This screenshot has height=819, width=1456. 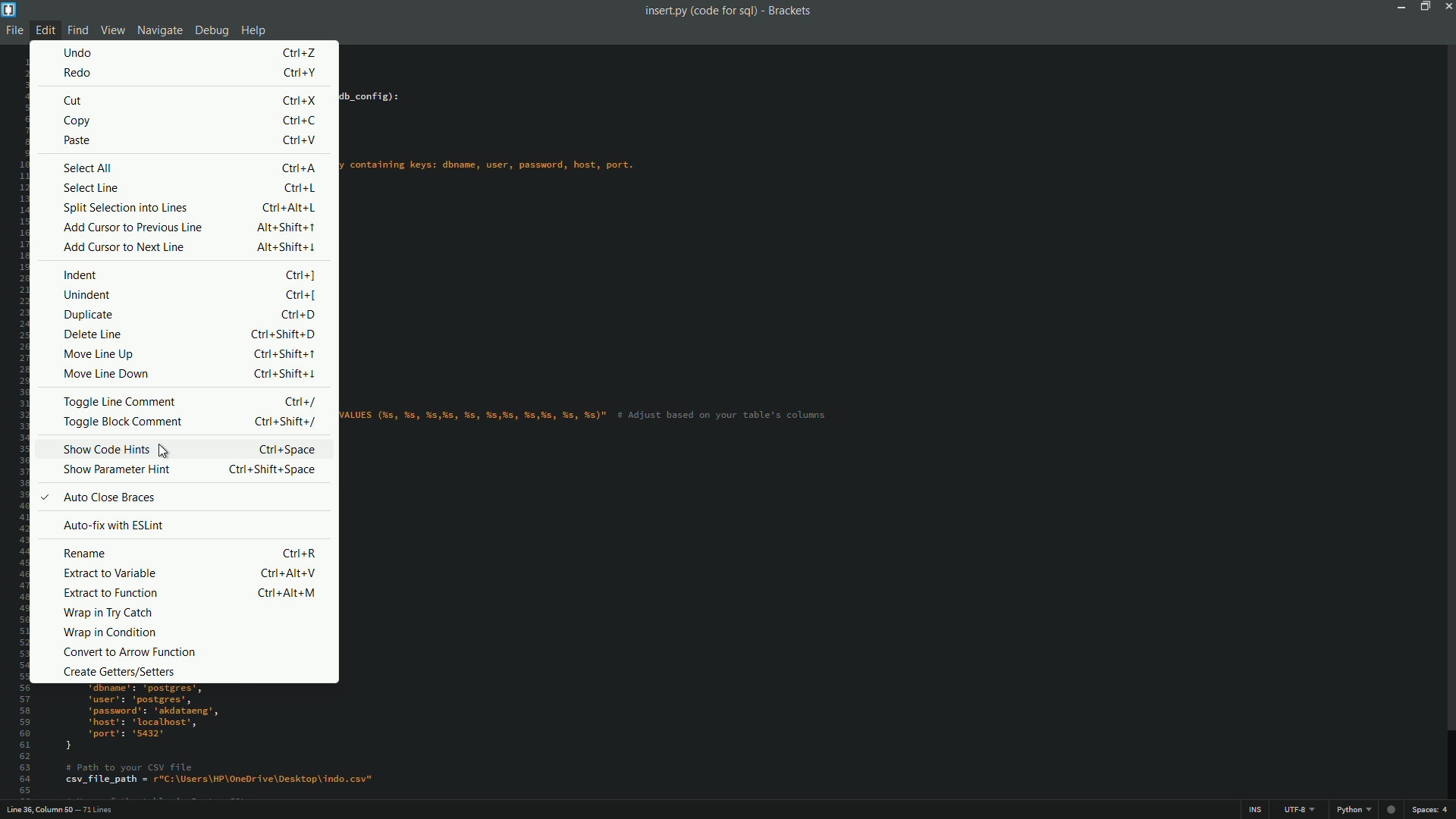 I want to click on space, so click(x=1432, y=811).